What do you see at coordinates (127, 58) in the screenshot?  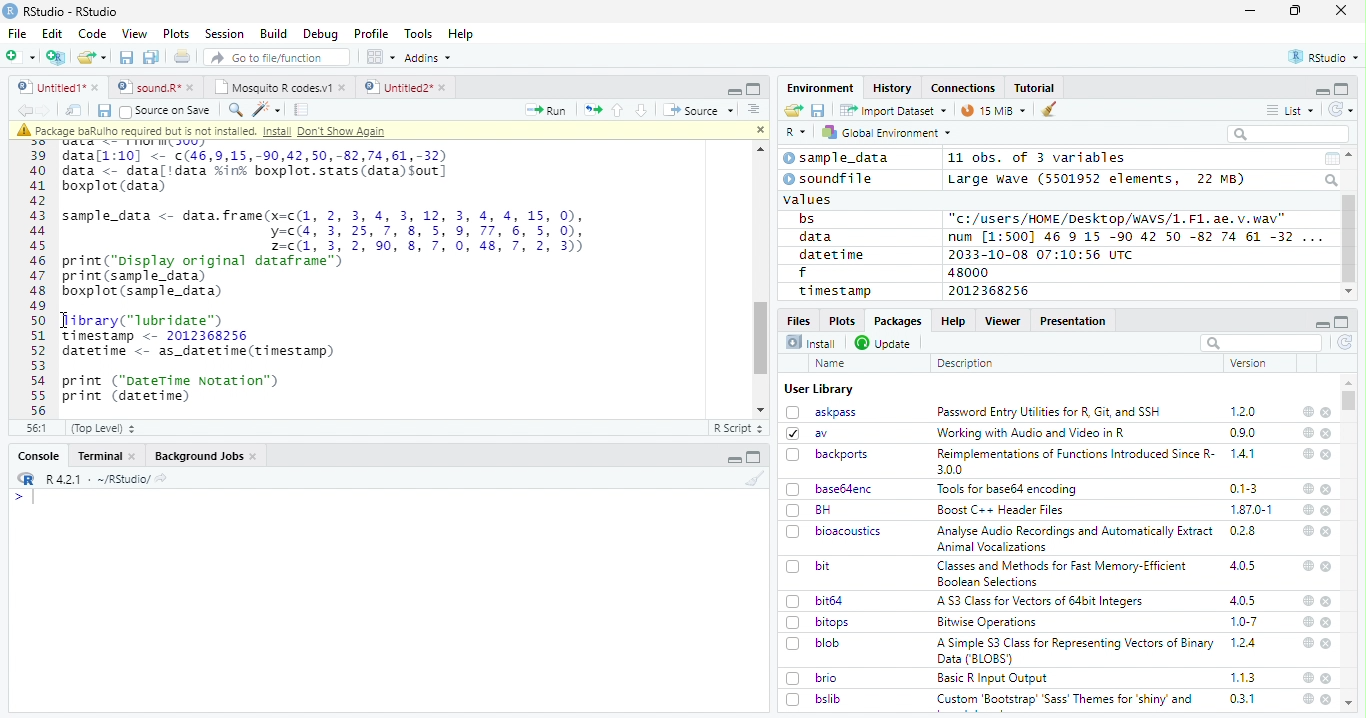 I see `Save the current document` at bounding box center [127, 58].